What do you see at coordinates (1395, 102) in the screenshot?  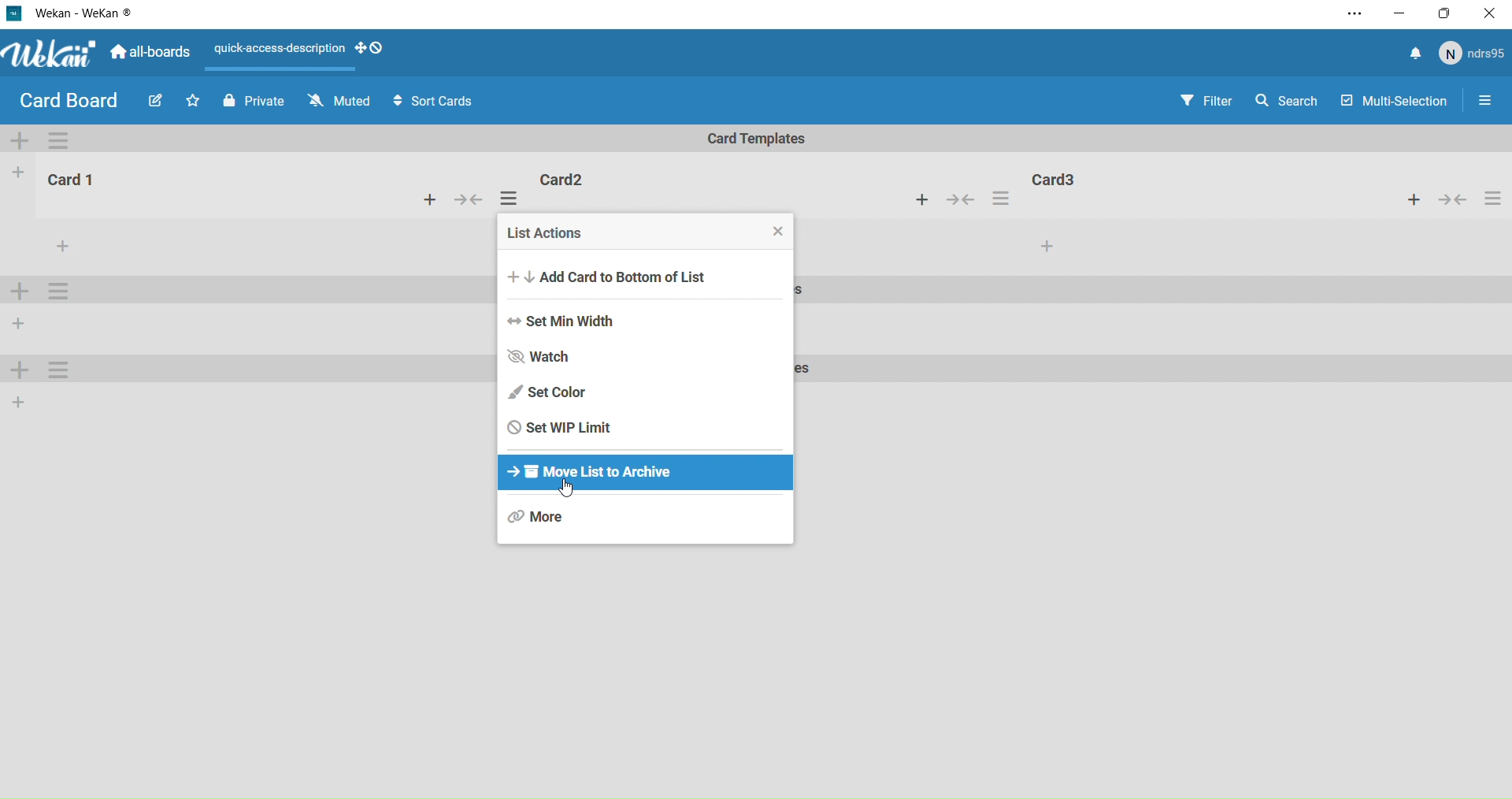 I see `multi selection` at bounding box center [1395, 102].